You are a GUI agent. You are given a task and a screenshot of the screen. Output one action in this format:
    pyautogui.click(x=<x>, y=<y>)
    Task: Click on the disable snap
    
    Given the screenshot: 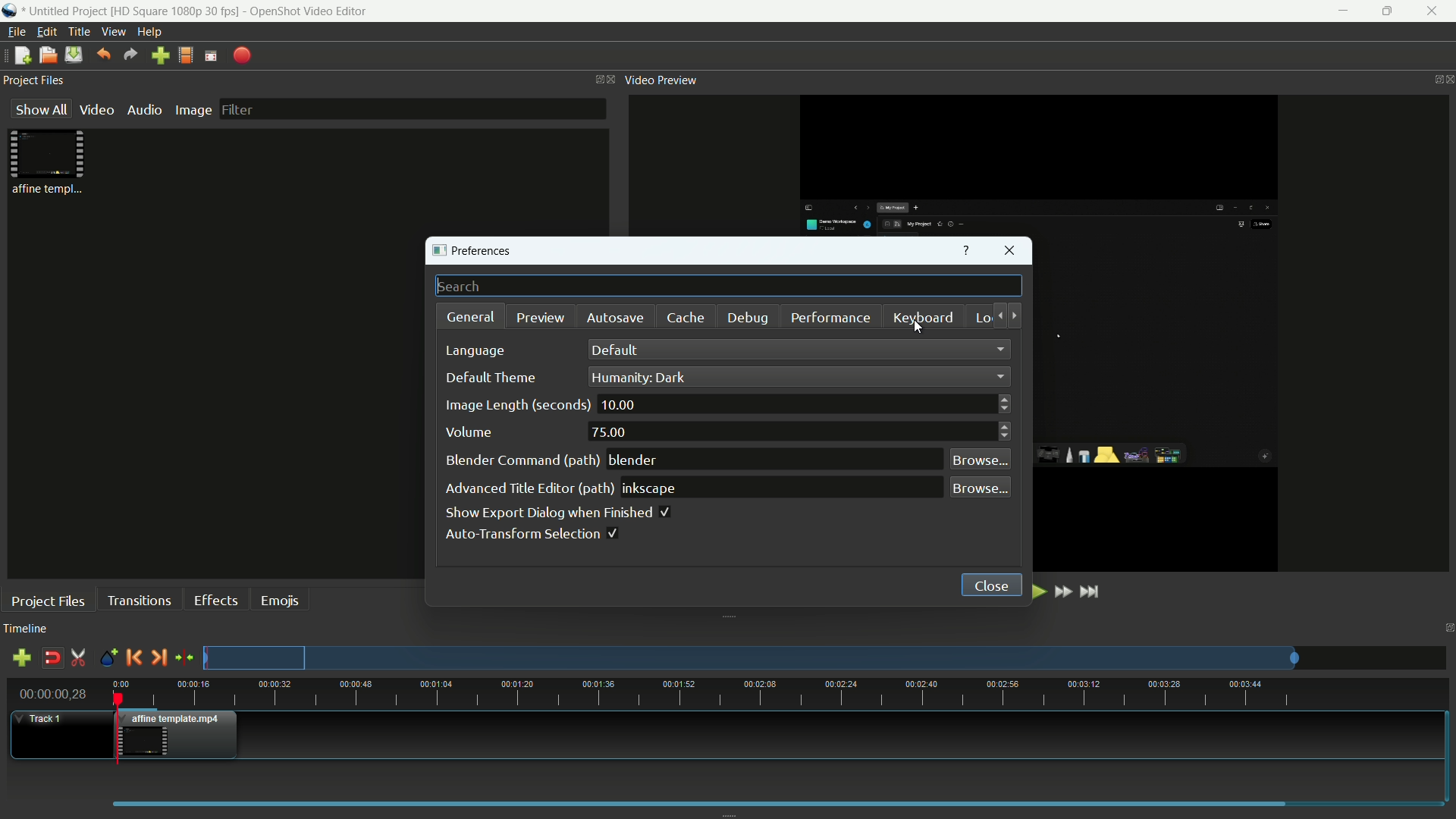 What is the action you would take?
    pyautogui.click(x=52, y=658)
    